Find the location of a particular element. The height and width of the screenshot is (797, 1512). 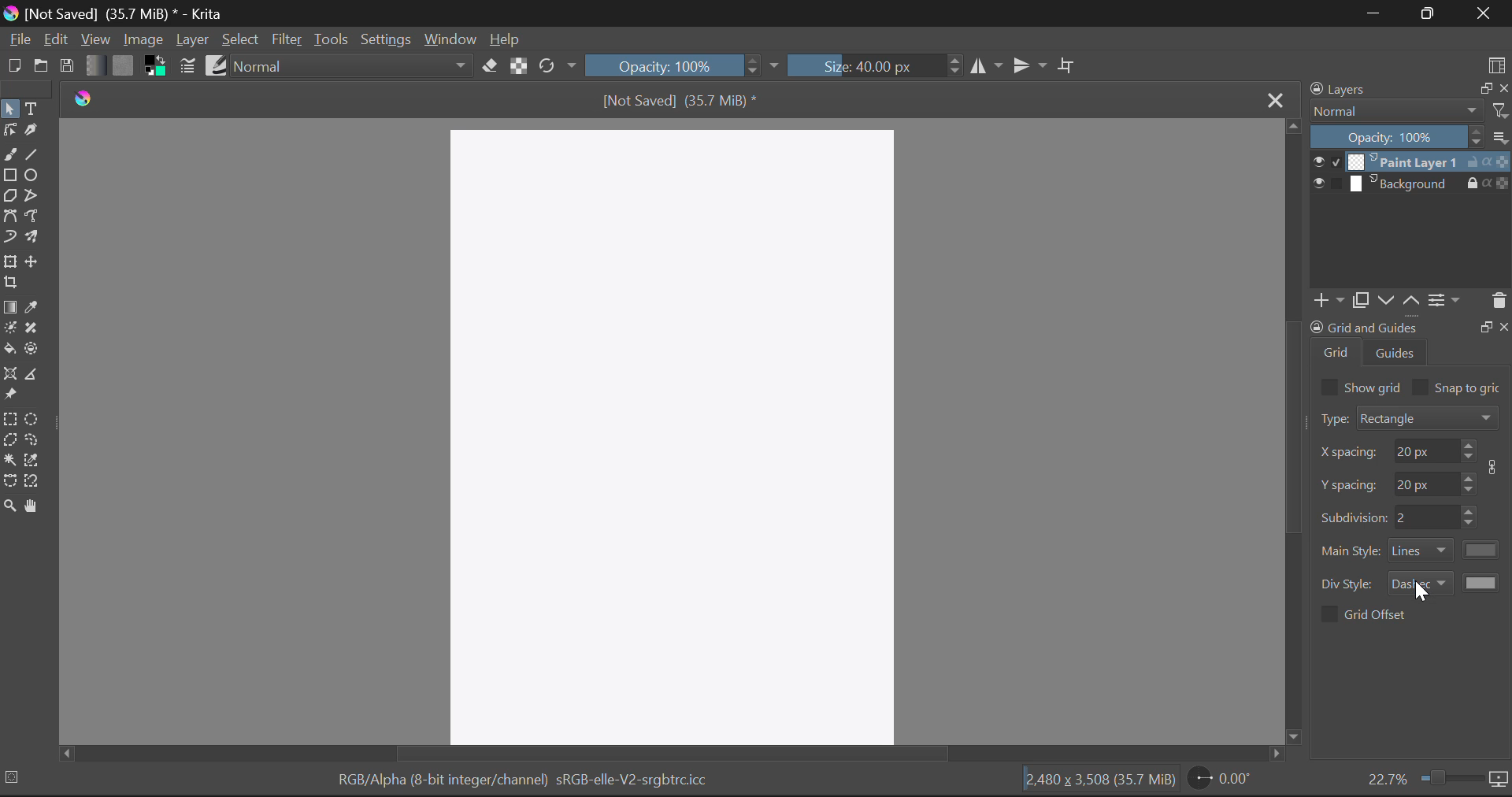

main style is located at coordinates (1351, 551).